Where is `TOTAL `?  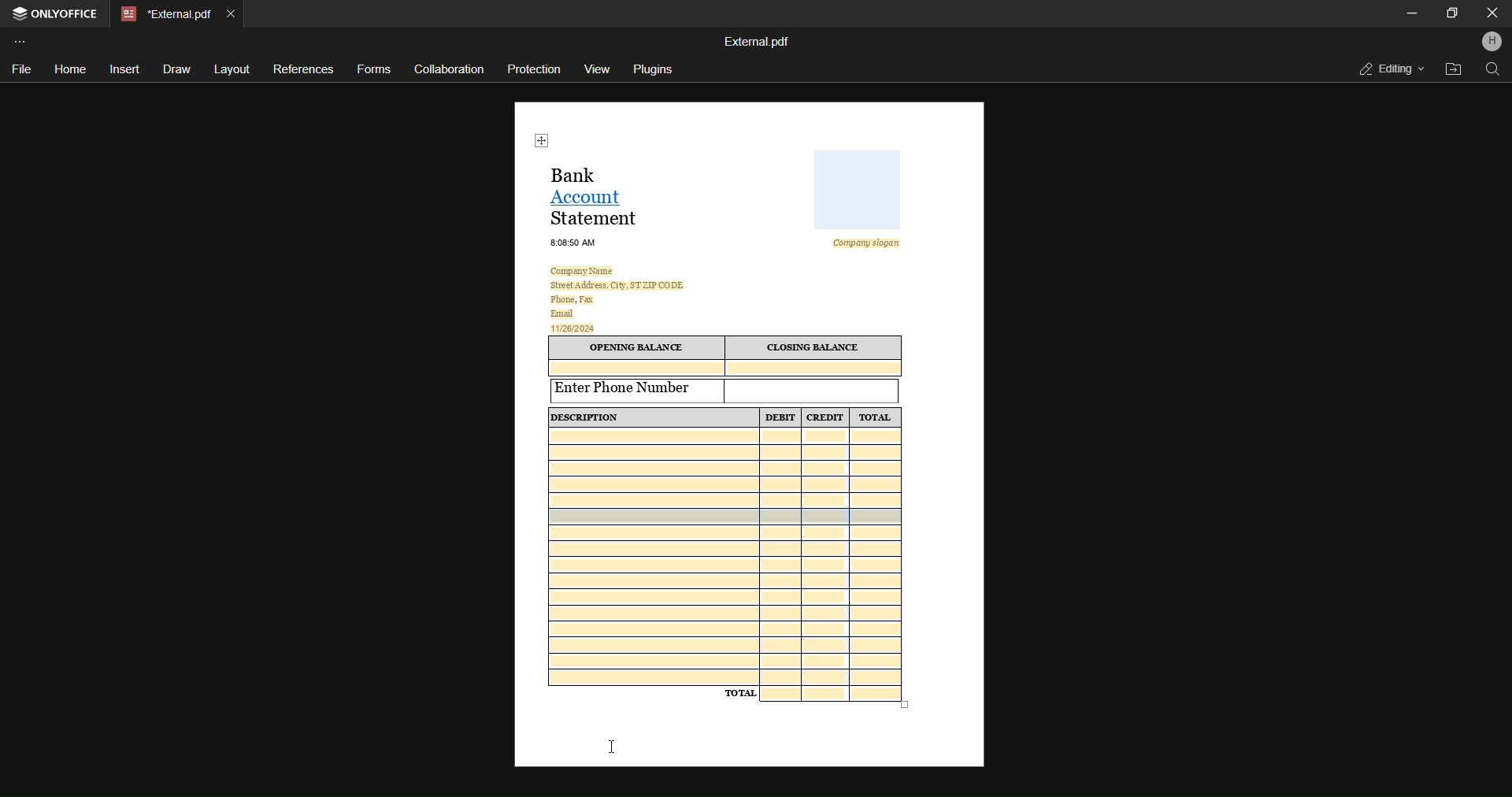 TOTAL  is located at coordinates (740, 692).